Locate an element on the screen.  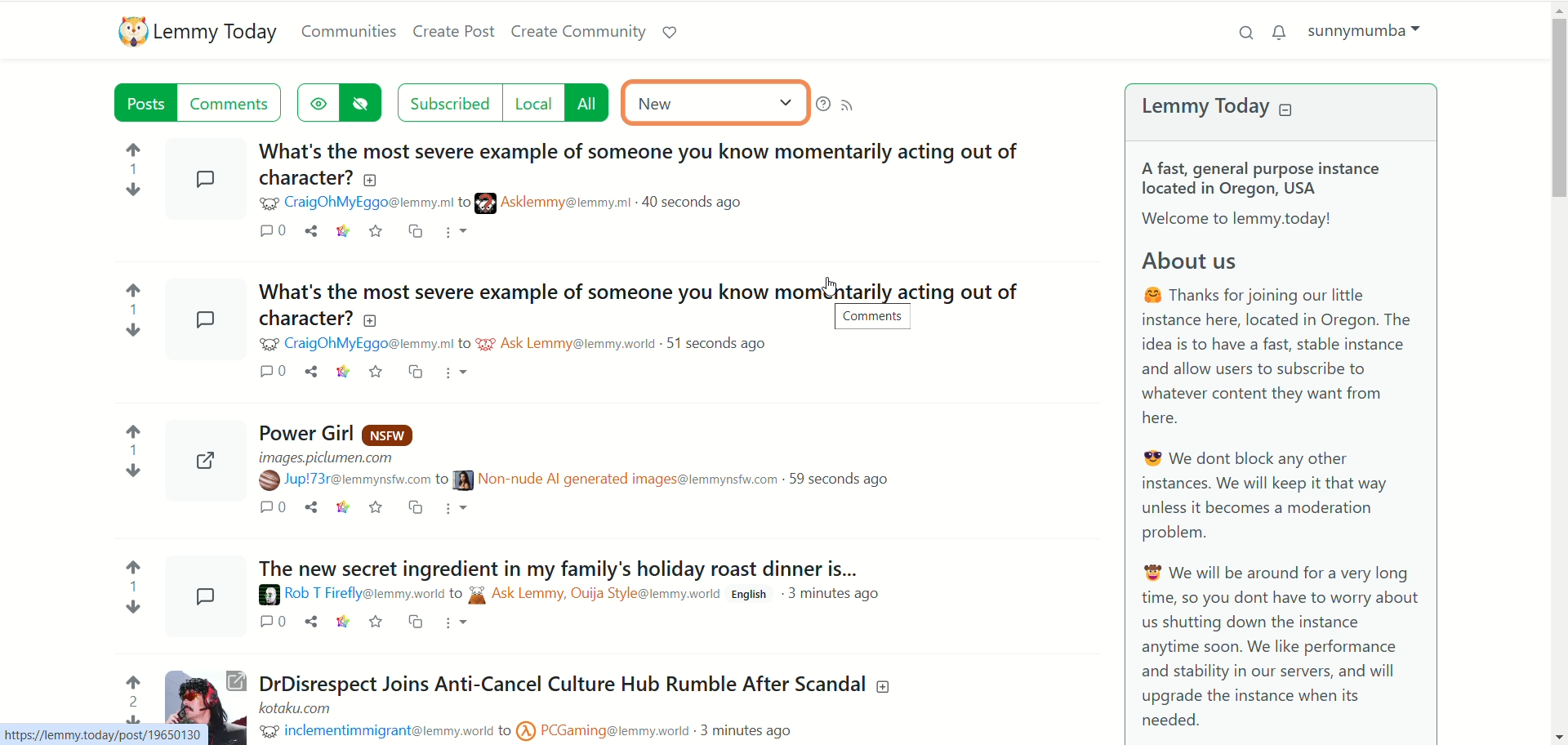
3 minutes ago is located at coordinates (753, 729).